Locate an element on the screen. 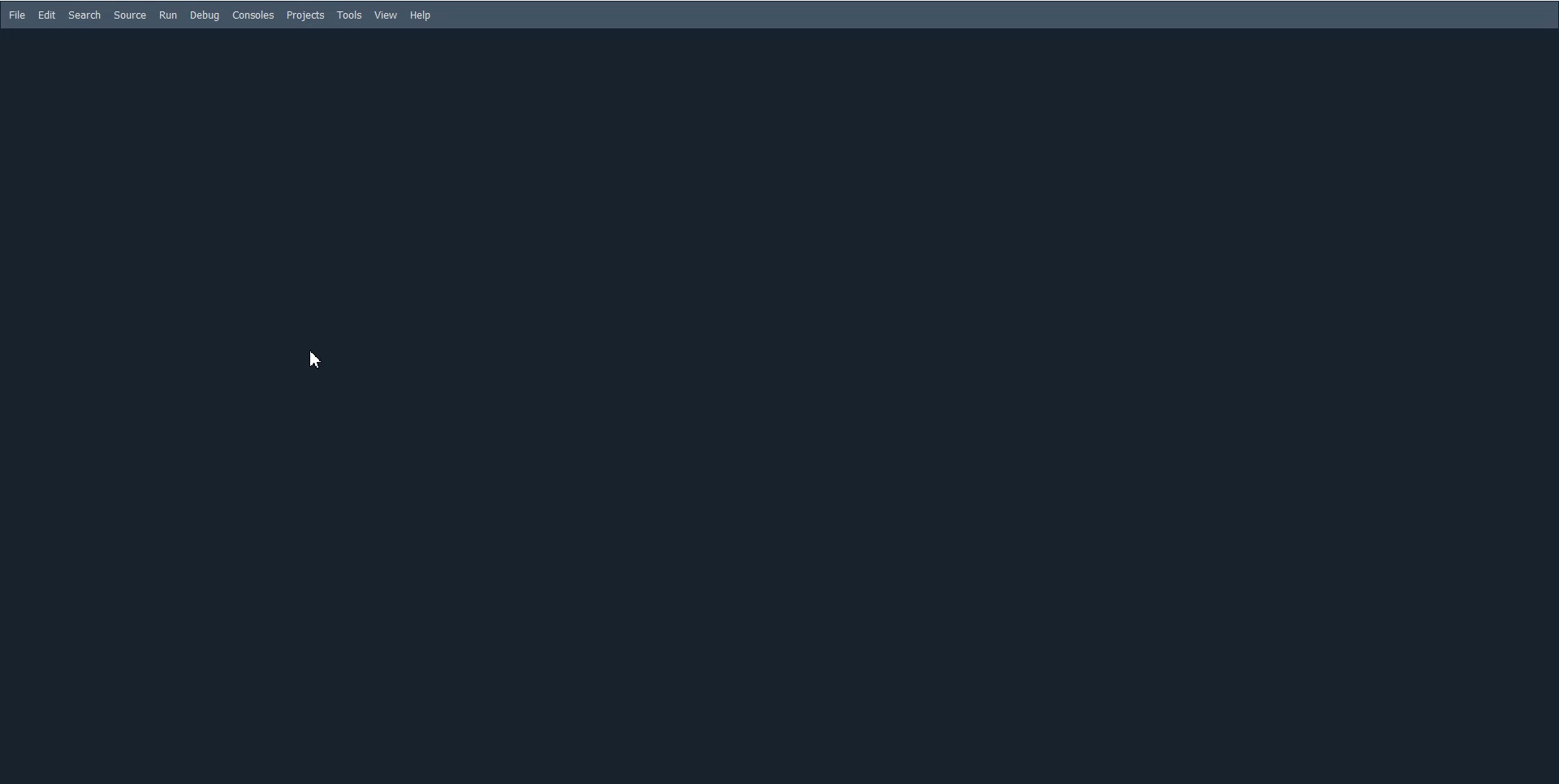 The width and height of the screenshot is (1559, 784). Tools is located at coordinates (349, 15).